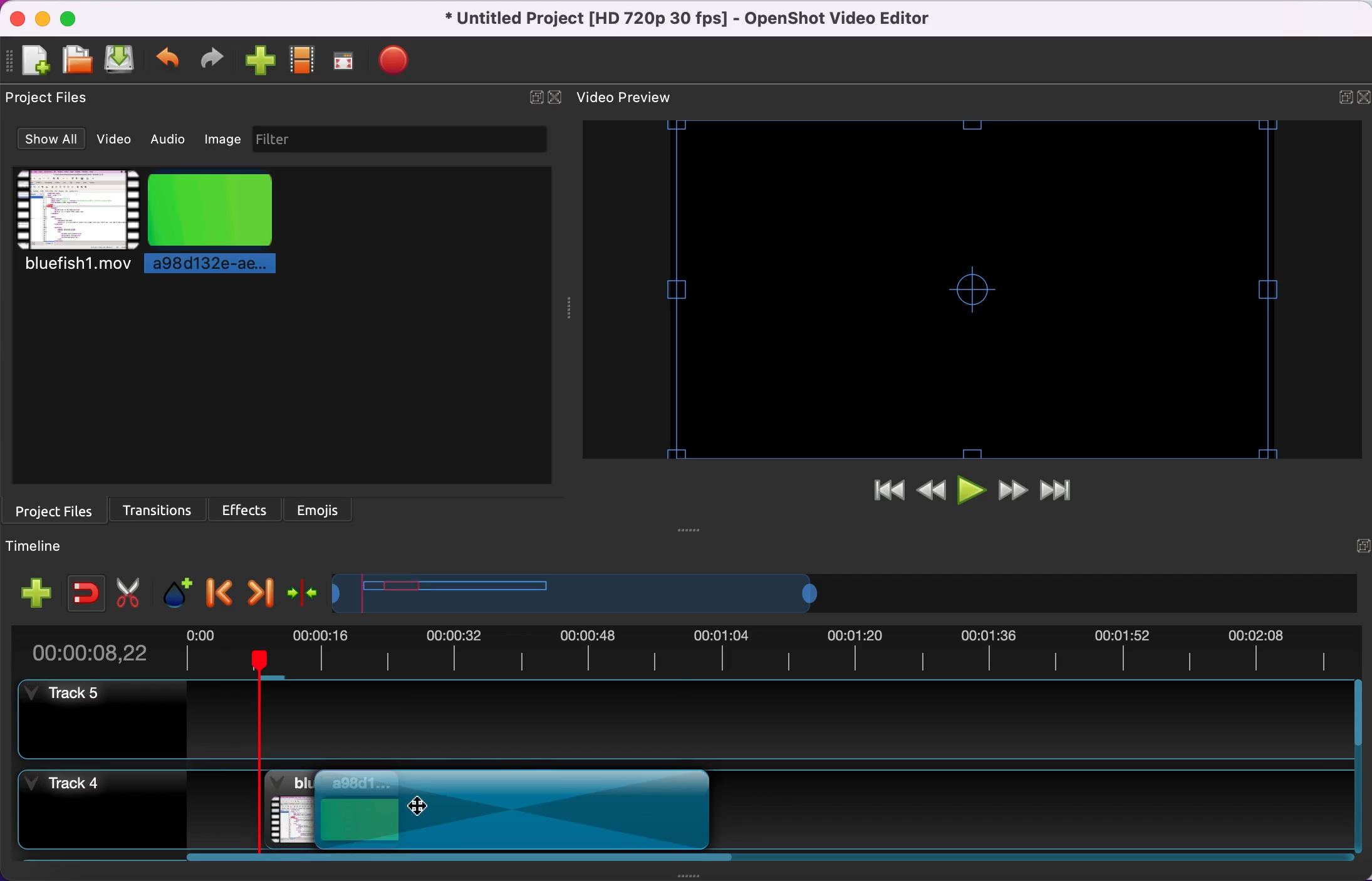 This screenshot has height=881, width=1372. Describe the element at coordinates (397, 63) in the screenshot. I see `export file` at that location.